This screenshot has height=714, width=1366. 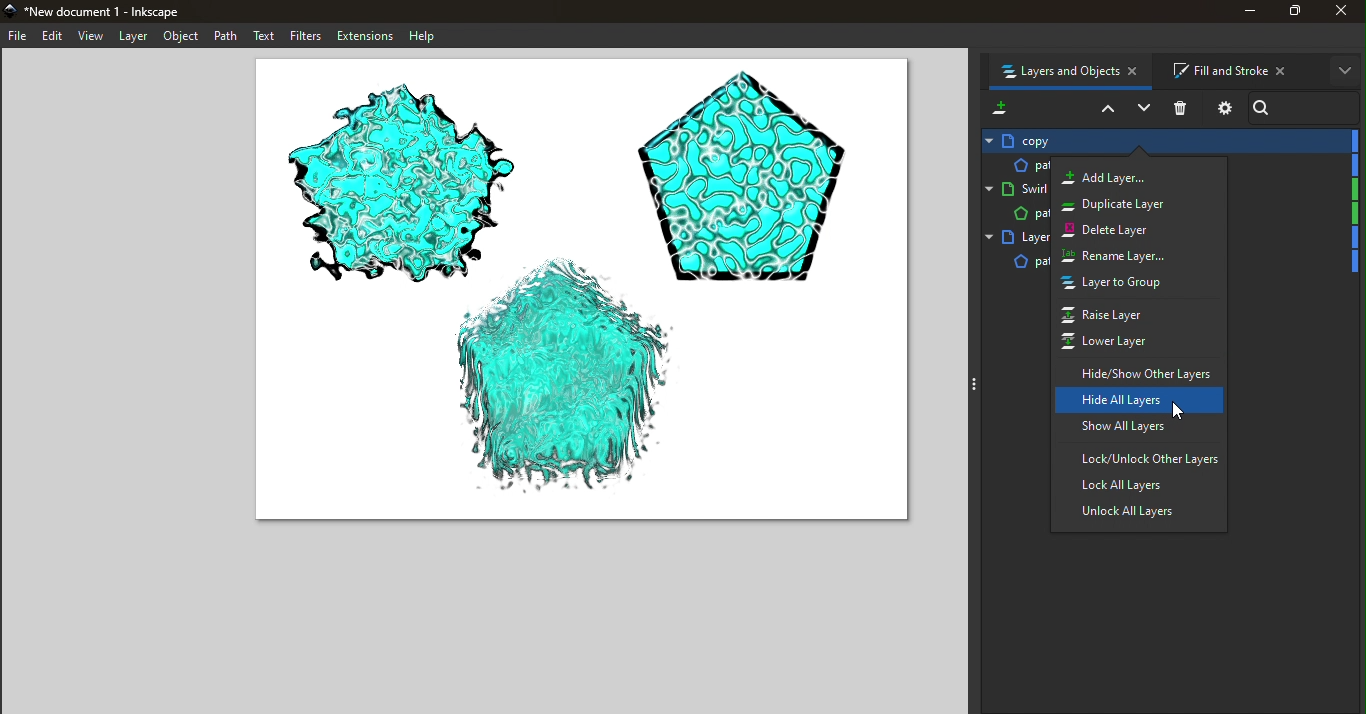 What do you see at coordinates (181, 37) in the screenshot?
I see `Object` at bounding box center [181, 37].